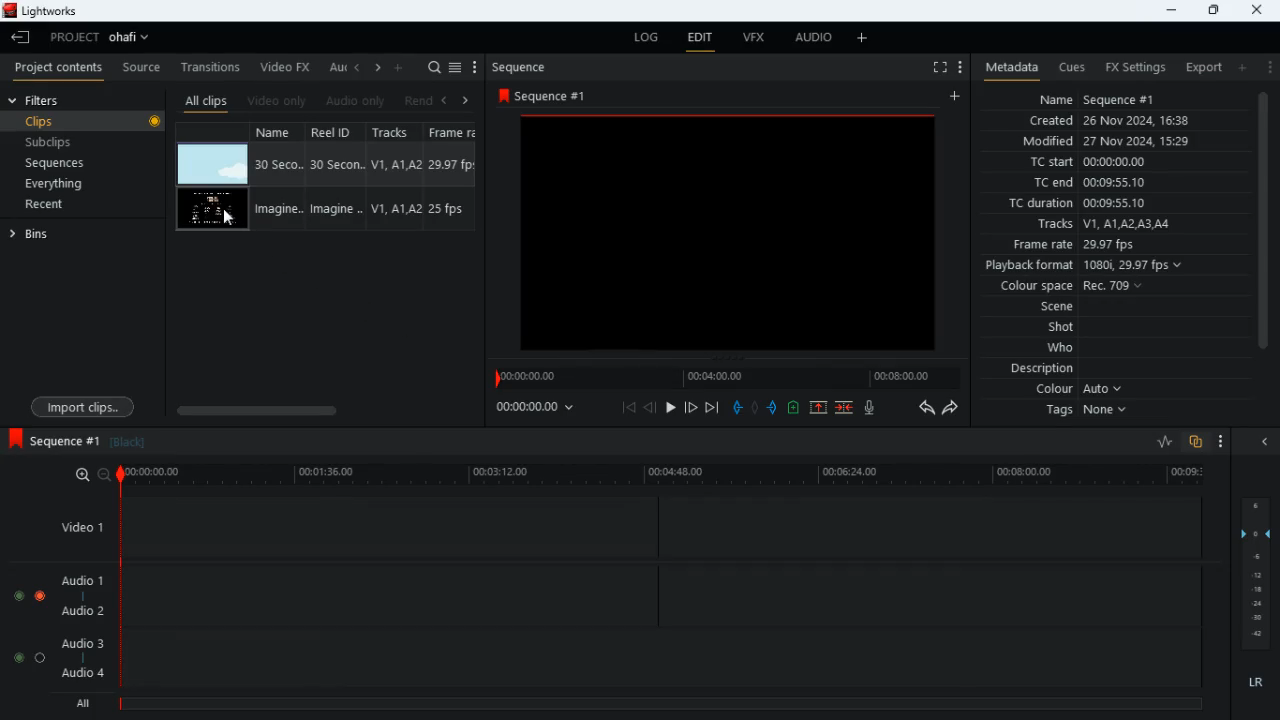 Image resolution: width=1280 pixels, height=720 pixels. Describe the element at coordinates (700, 40) in the screenshot. I see `edit` at that location.